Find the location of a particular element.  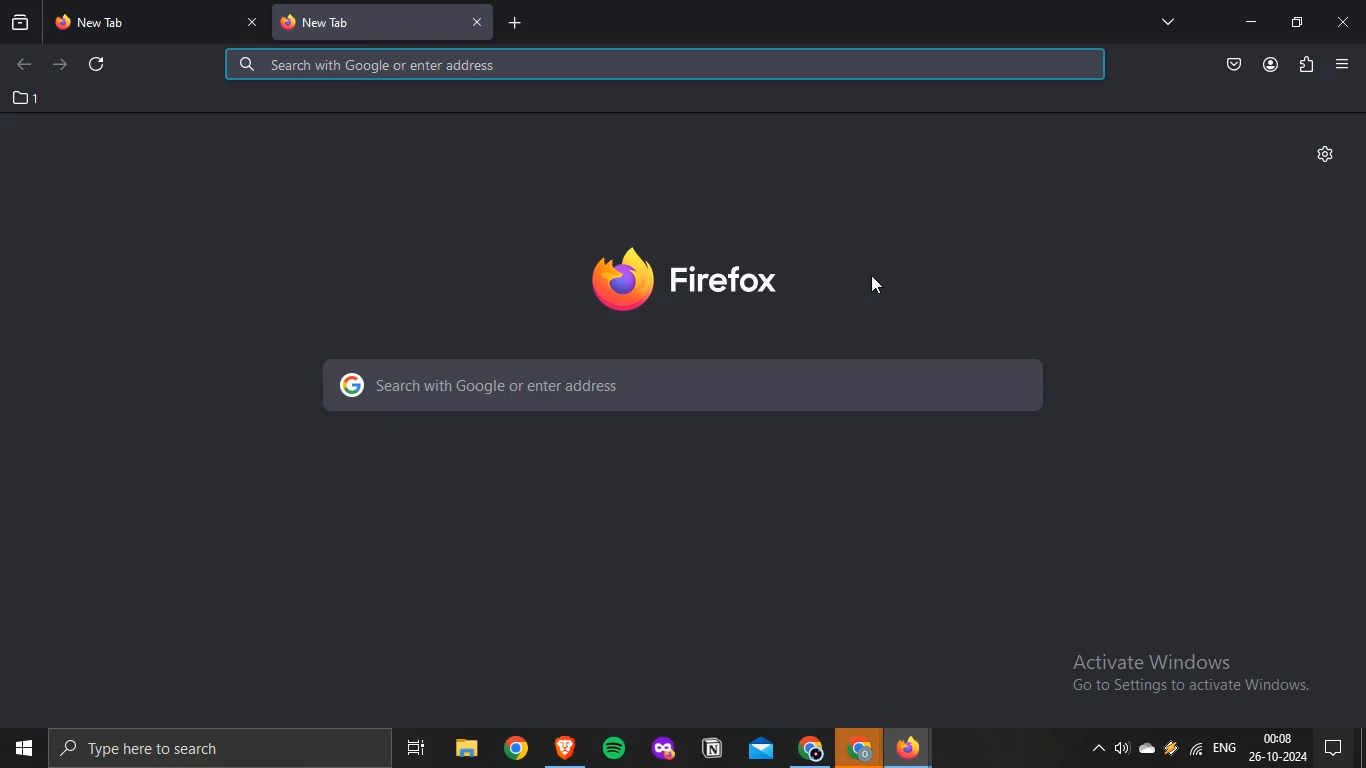

eng is located at coordinates (1228, 753).